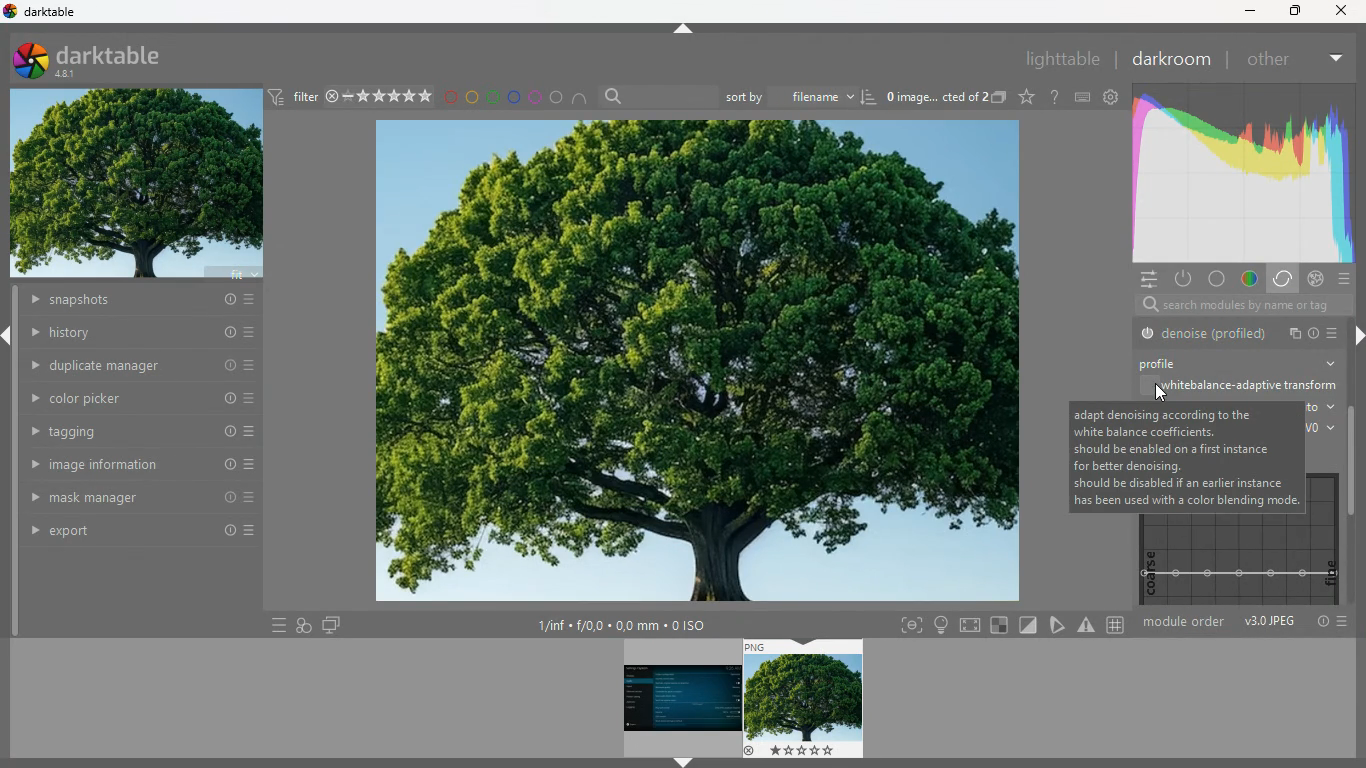 The width and height of the screenshot is (1366, 768). I want to click on scale, so click(1234, 560).